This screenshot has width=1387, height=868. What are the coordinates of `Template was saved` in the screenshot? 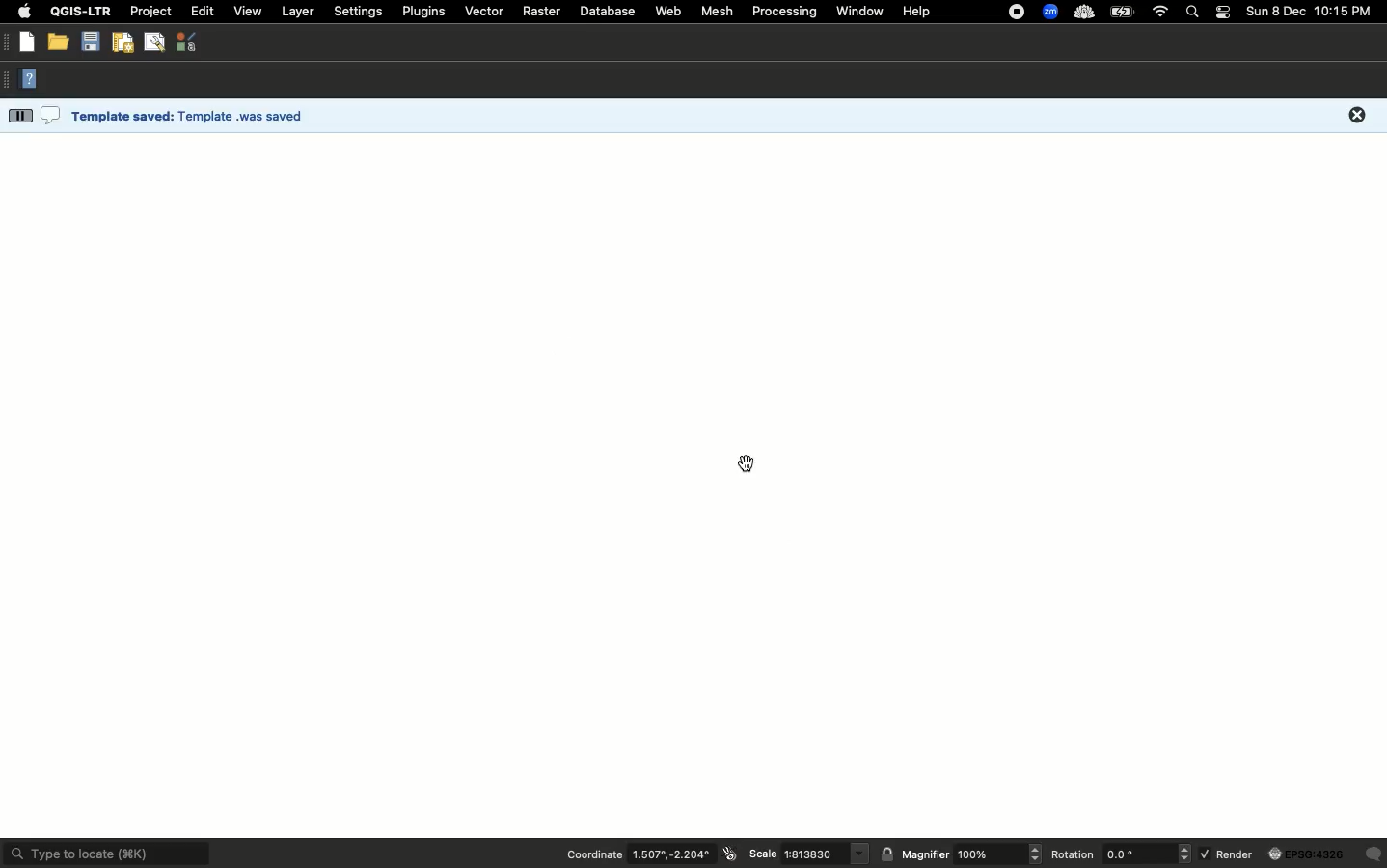 It's located at (697, 116).